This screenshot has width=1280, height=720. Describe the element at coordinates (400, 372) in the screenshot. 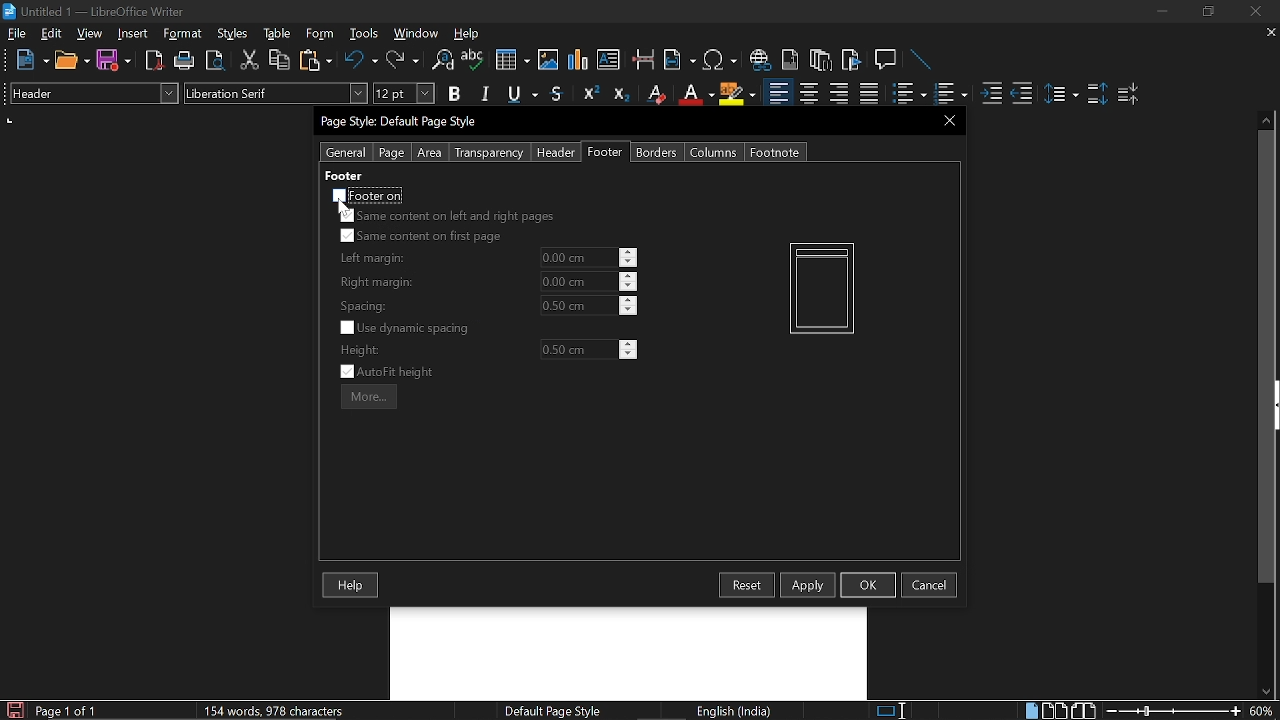

I see `Auto fit height` at that location.